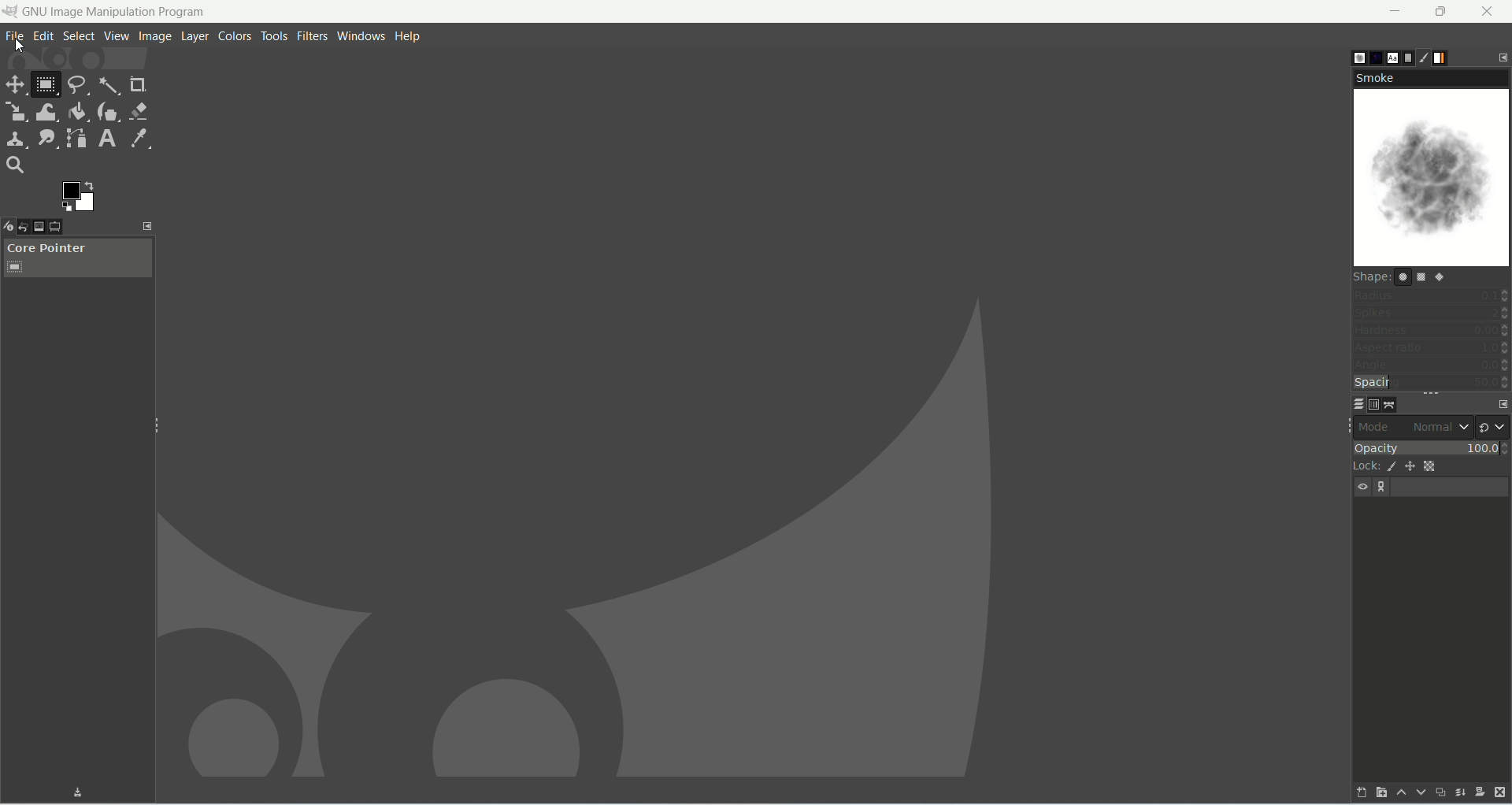 The image size is (1512, 805). I want to click on layer linking, so click(1385, 488).